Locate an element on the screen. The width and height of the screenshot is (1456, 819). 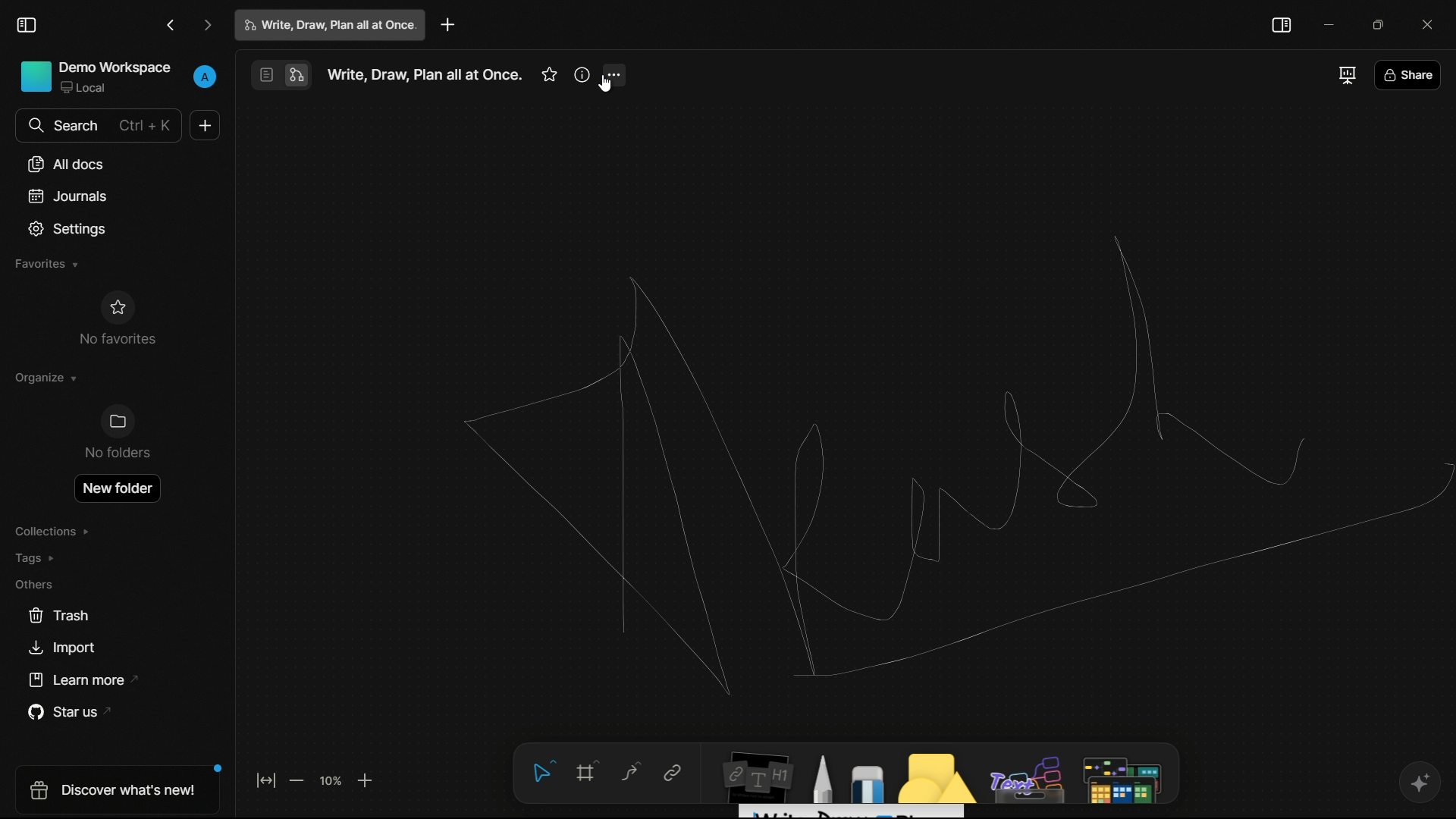
edgeless mode is located at coordinates (299, 76).